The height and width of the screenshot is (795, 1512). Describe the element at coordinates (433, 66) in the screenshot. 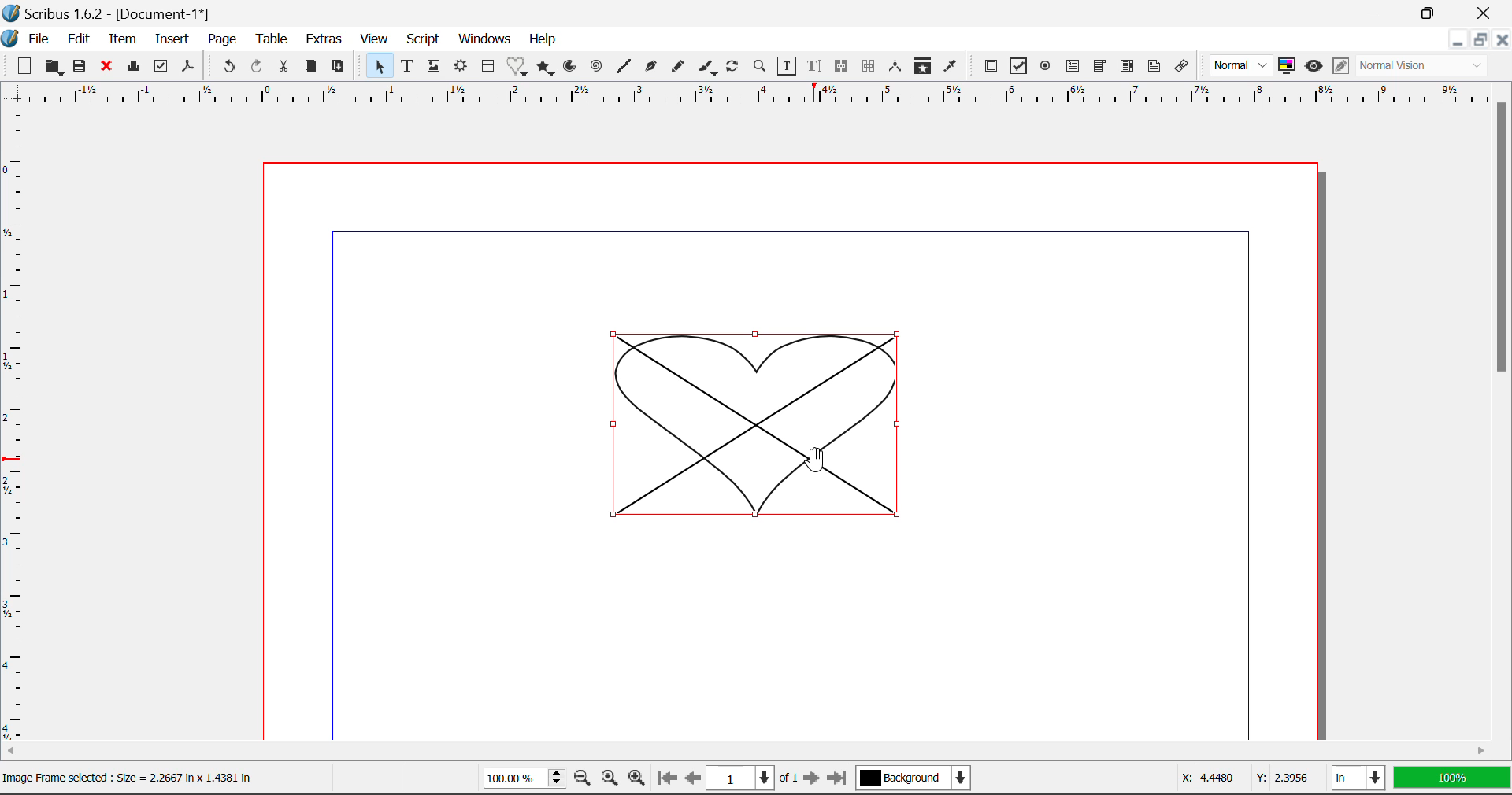

I see `Image Frames` at that location.